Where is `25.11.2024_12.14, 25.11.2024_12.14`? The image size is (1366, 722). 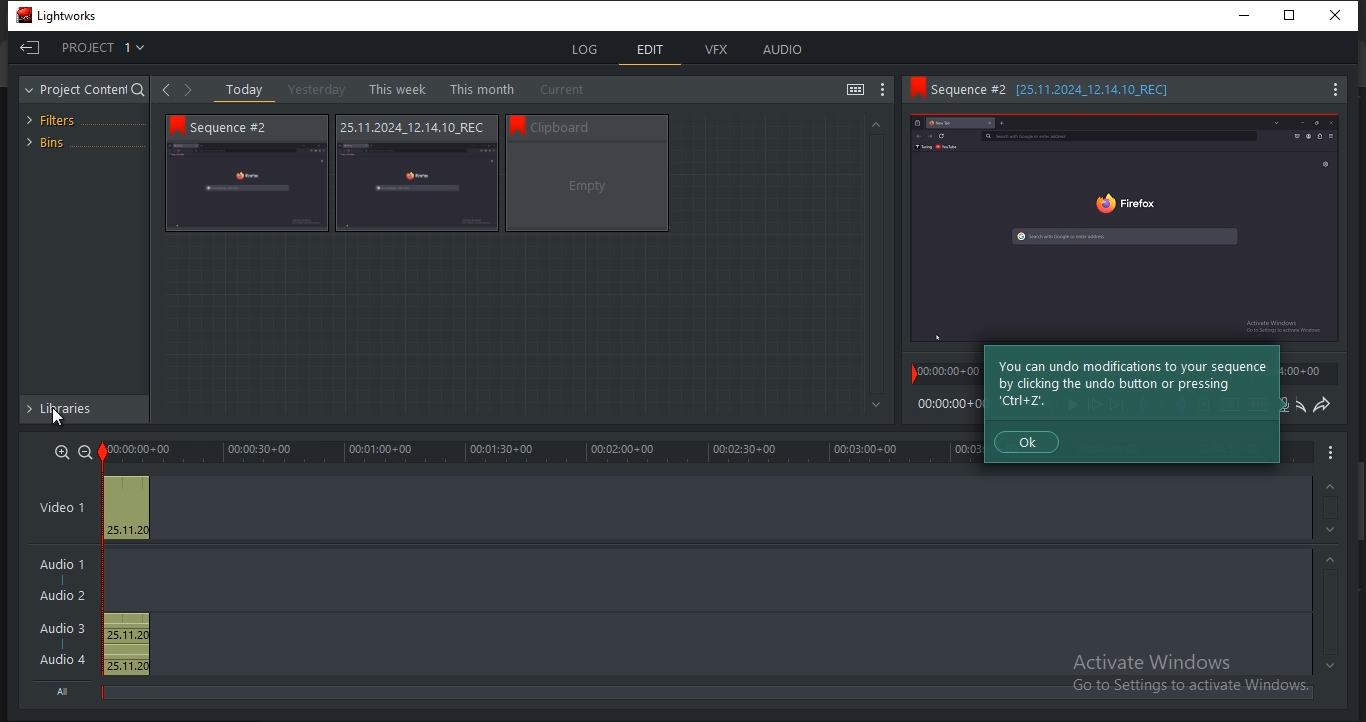
25.11.2024_12.14, 25.11.2024_12.14 is located at coordinates (129, 645).